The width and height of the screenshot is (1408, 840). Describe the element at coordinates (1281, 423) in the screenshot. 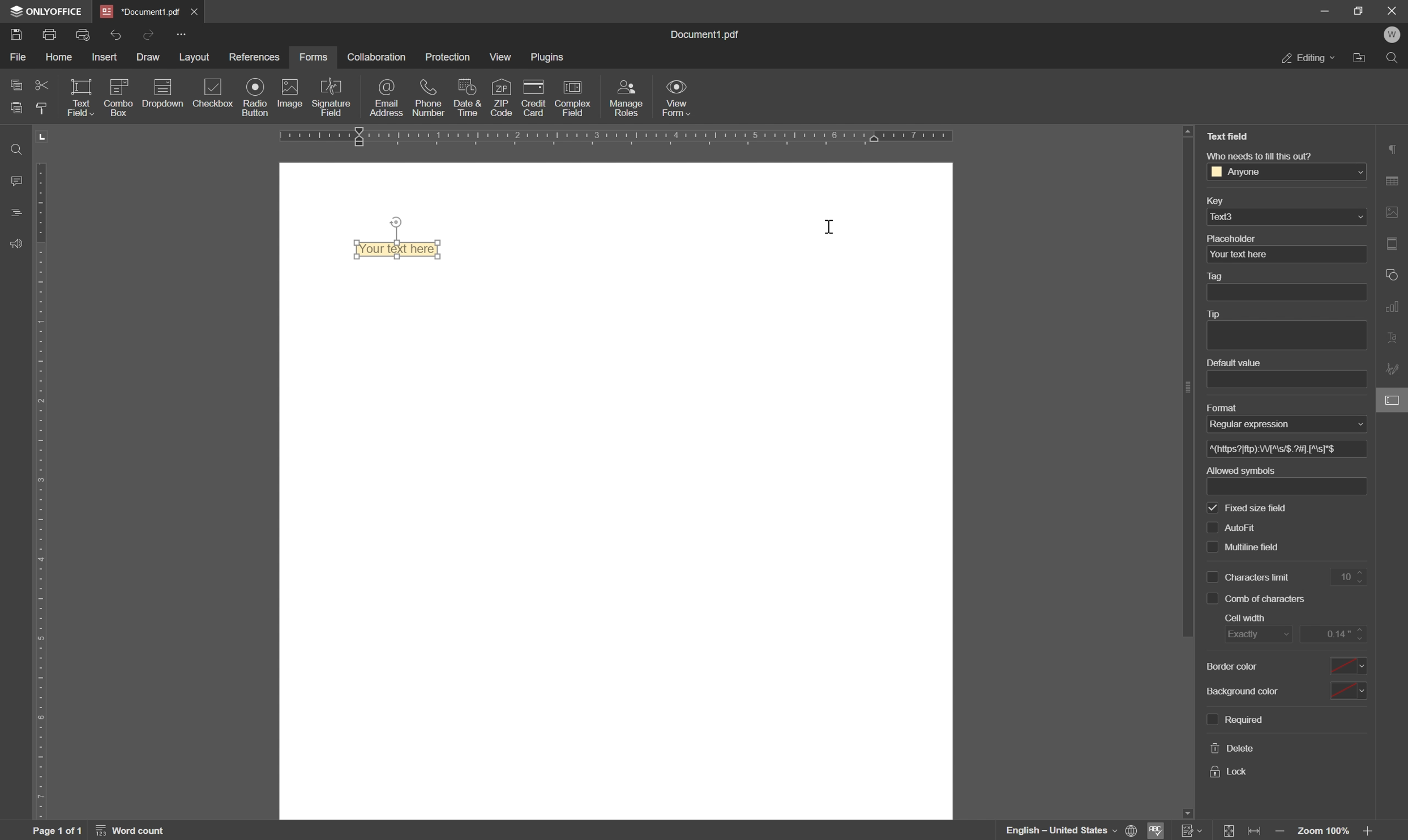

I see `none` at that location.